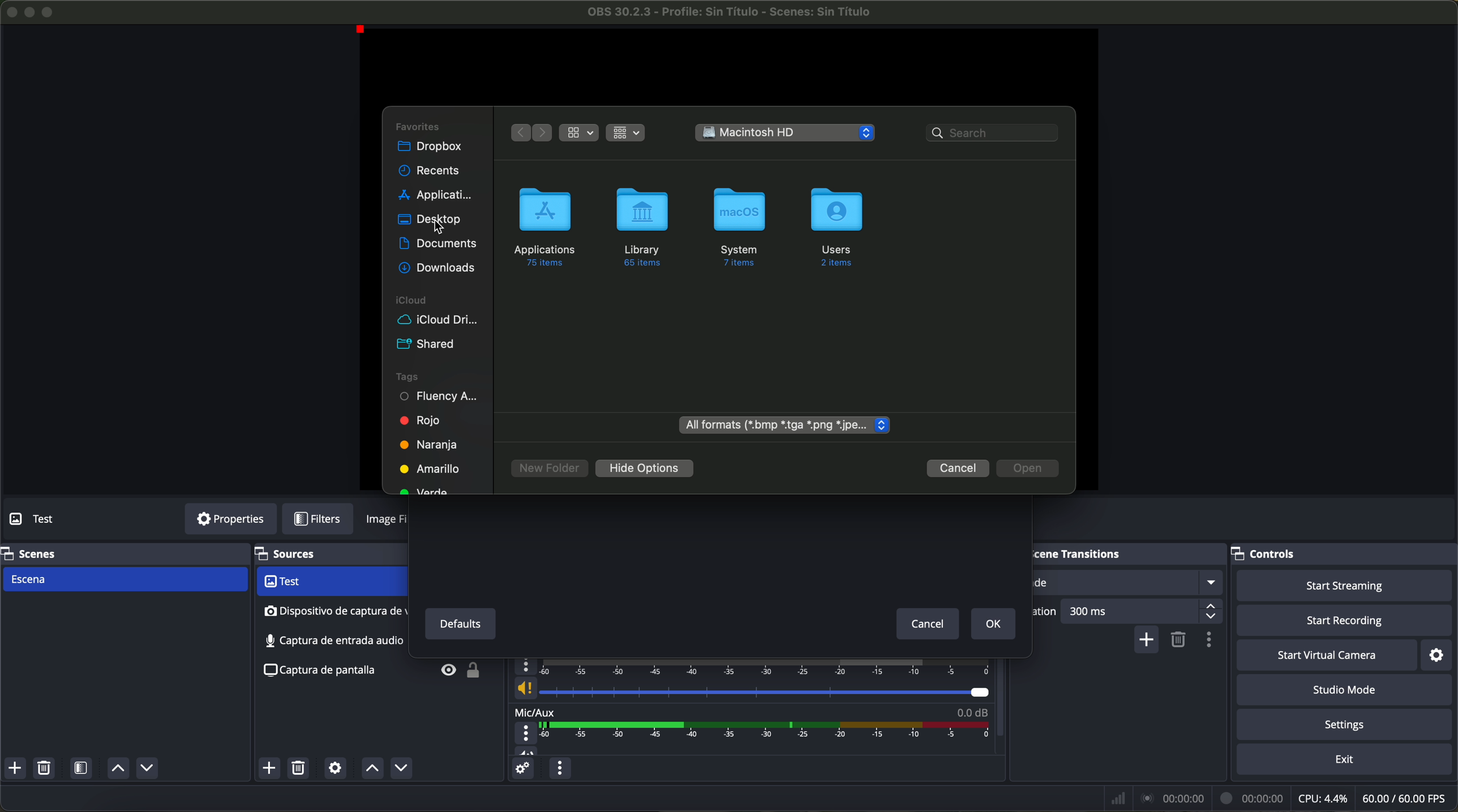 This screenshot has width=1458, height=812. What do you see at coordinates (1001, 689) in the screenshot?
I see `scroll down` at bounding box center [1001, 689].